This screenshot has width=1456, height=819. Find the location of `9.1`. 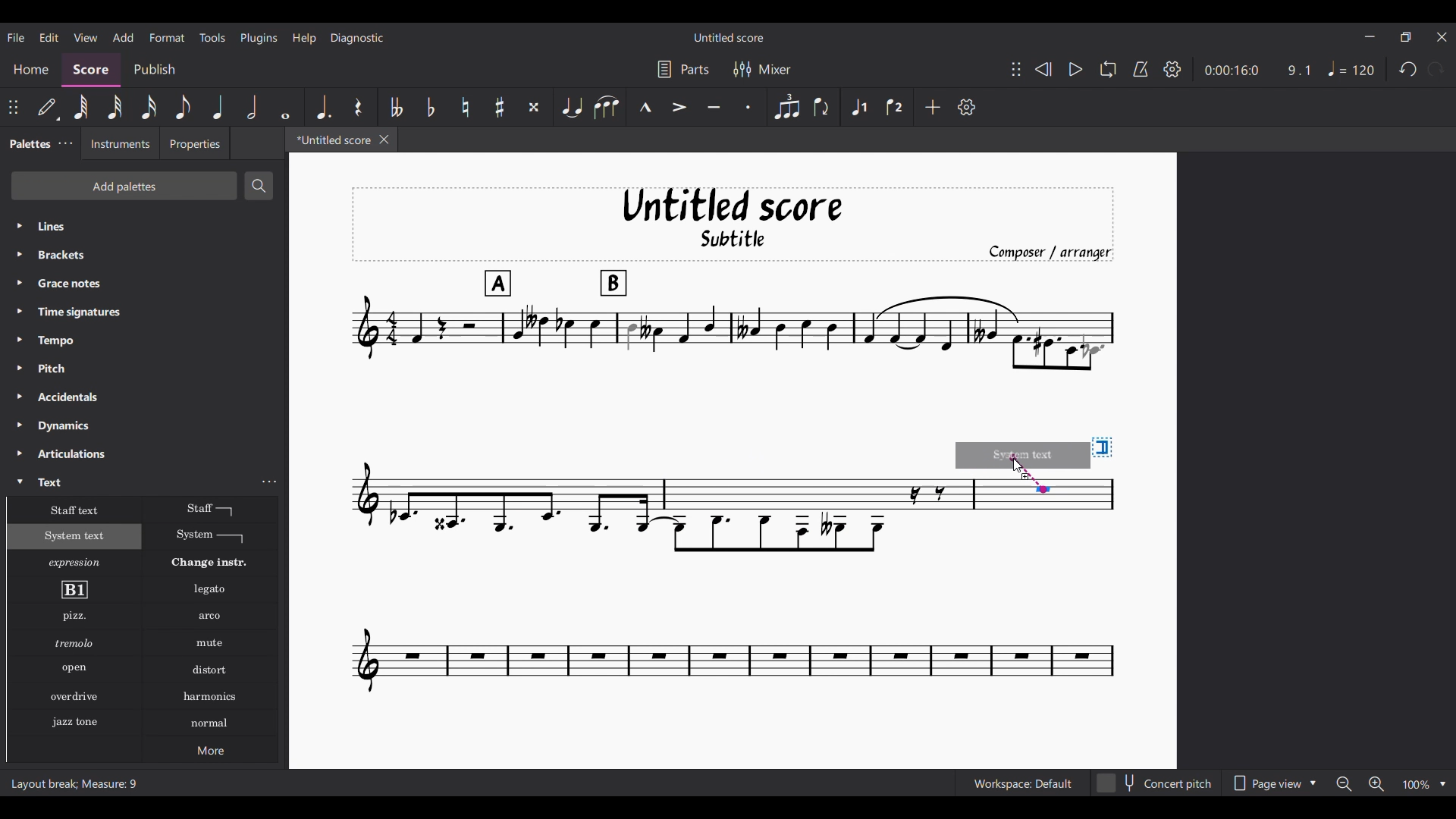

9.1 is located at coordinates (1298, 70).